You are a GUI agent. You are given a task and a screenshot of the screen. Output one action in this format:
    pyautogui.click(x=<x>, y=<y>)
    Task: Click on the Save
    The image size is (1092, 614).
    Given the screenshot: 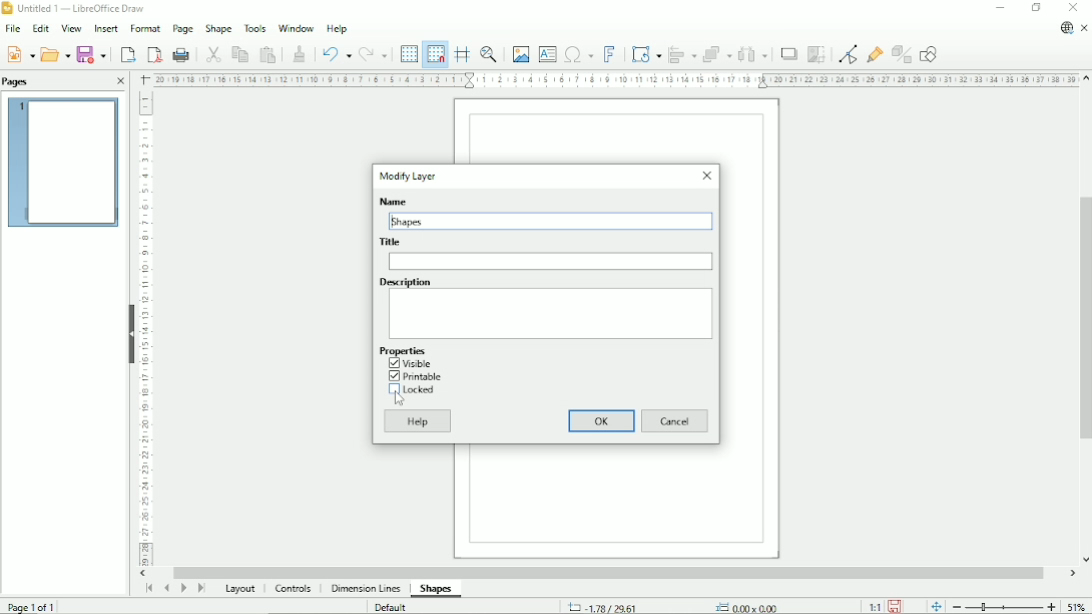 What is the action you would take?
    pyautogui.click(x=895, y=606)
    